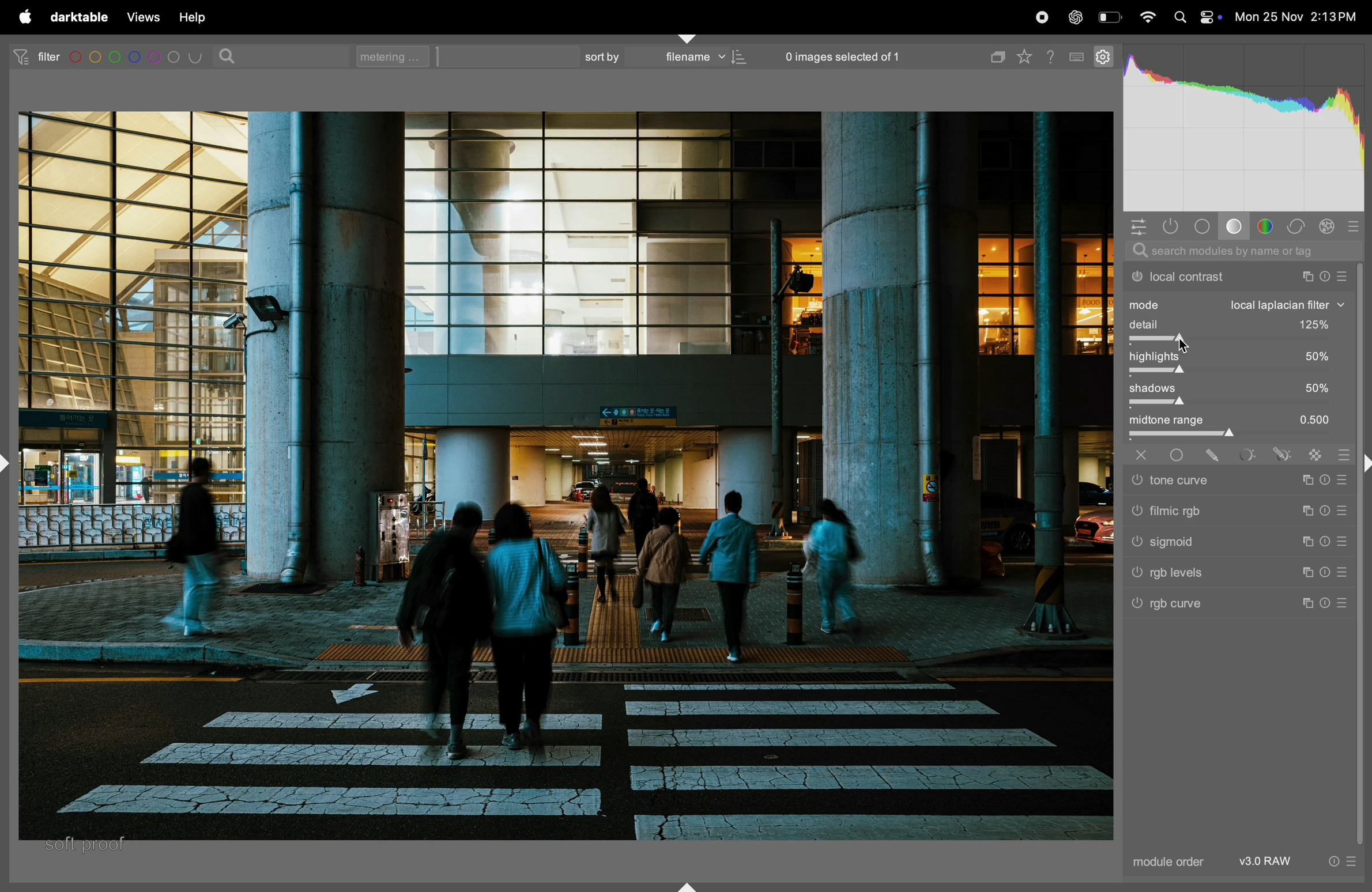 The image size is (1372, 892). Describe the element at coordinates (32, 56) in the screenshot. I see `filter` at that location.